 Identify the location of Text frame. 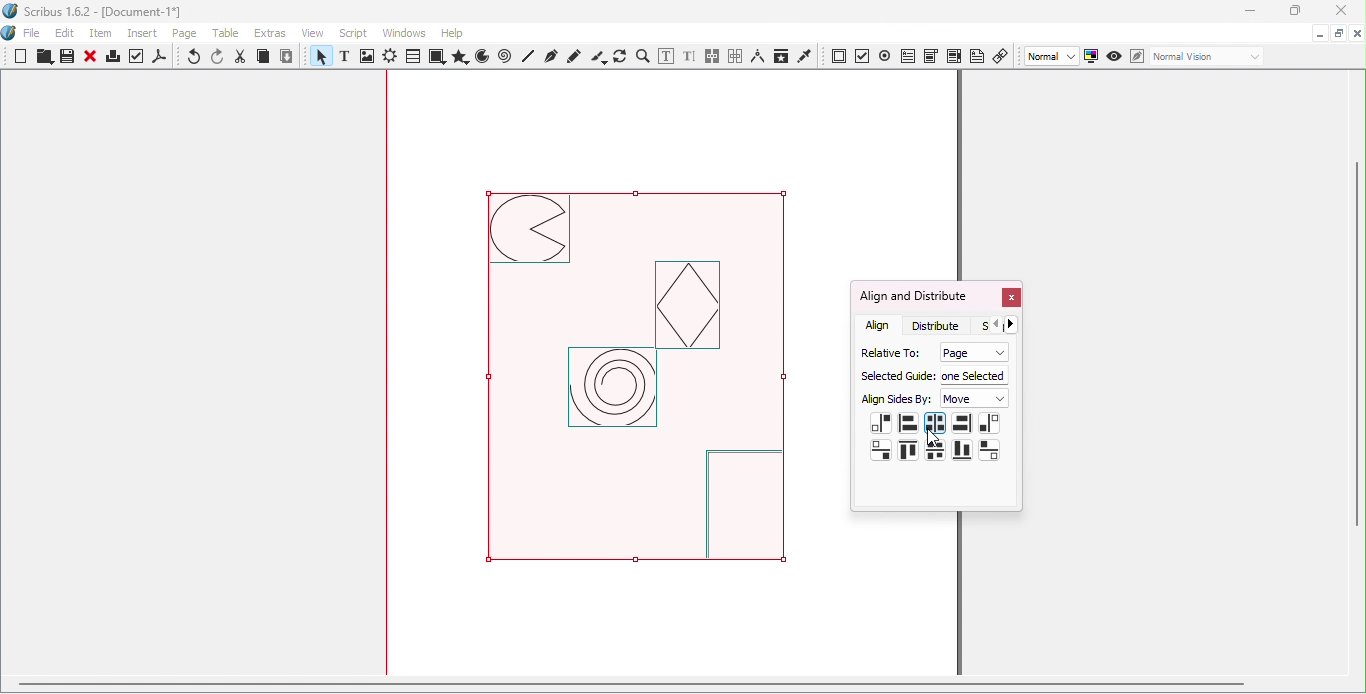
(348, 58).